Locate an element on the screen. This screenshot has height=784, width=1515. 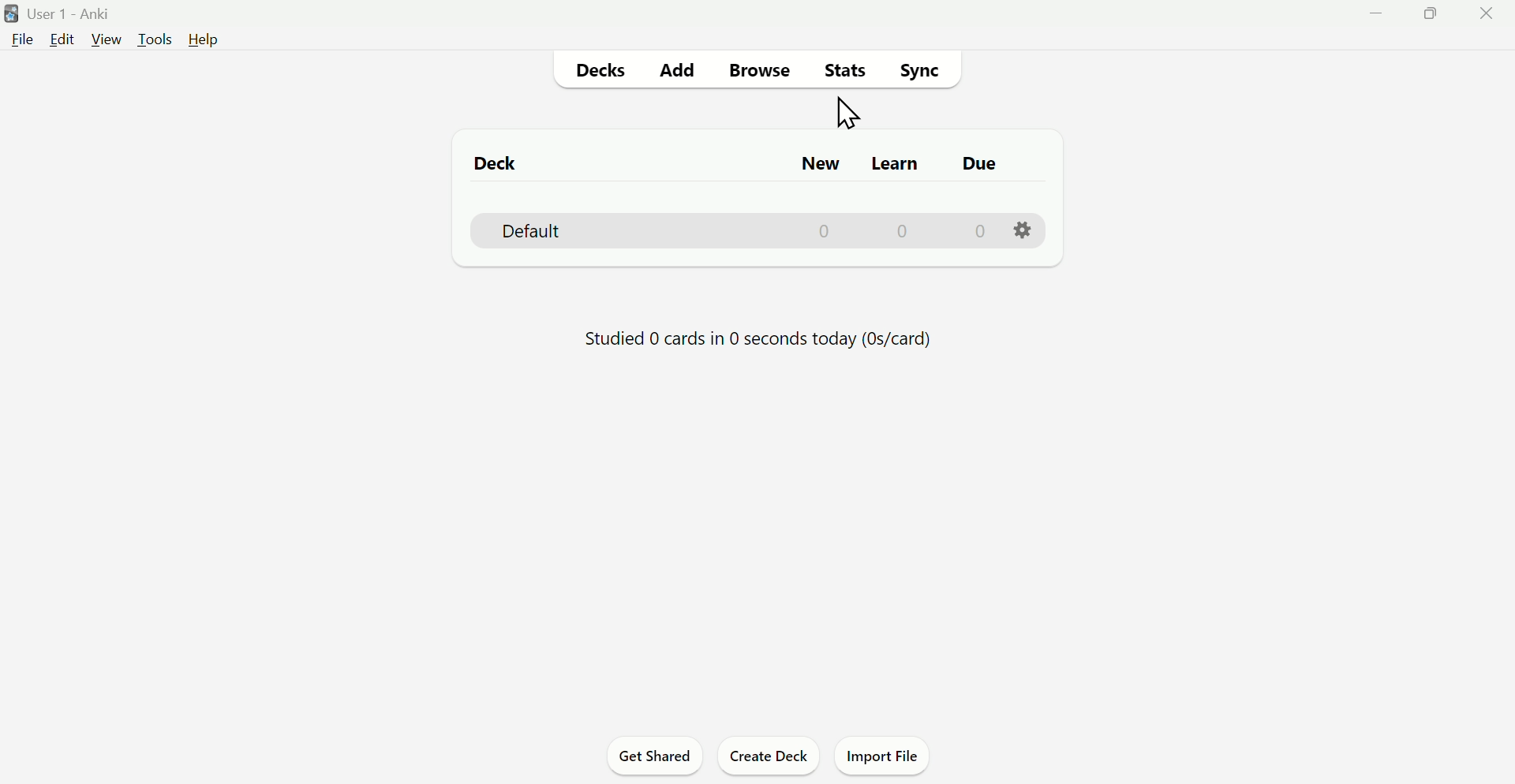
Browse is located at coordinates (765, 69).